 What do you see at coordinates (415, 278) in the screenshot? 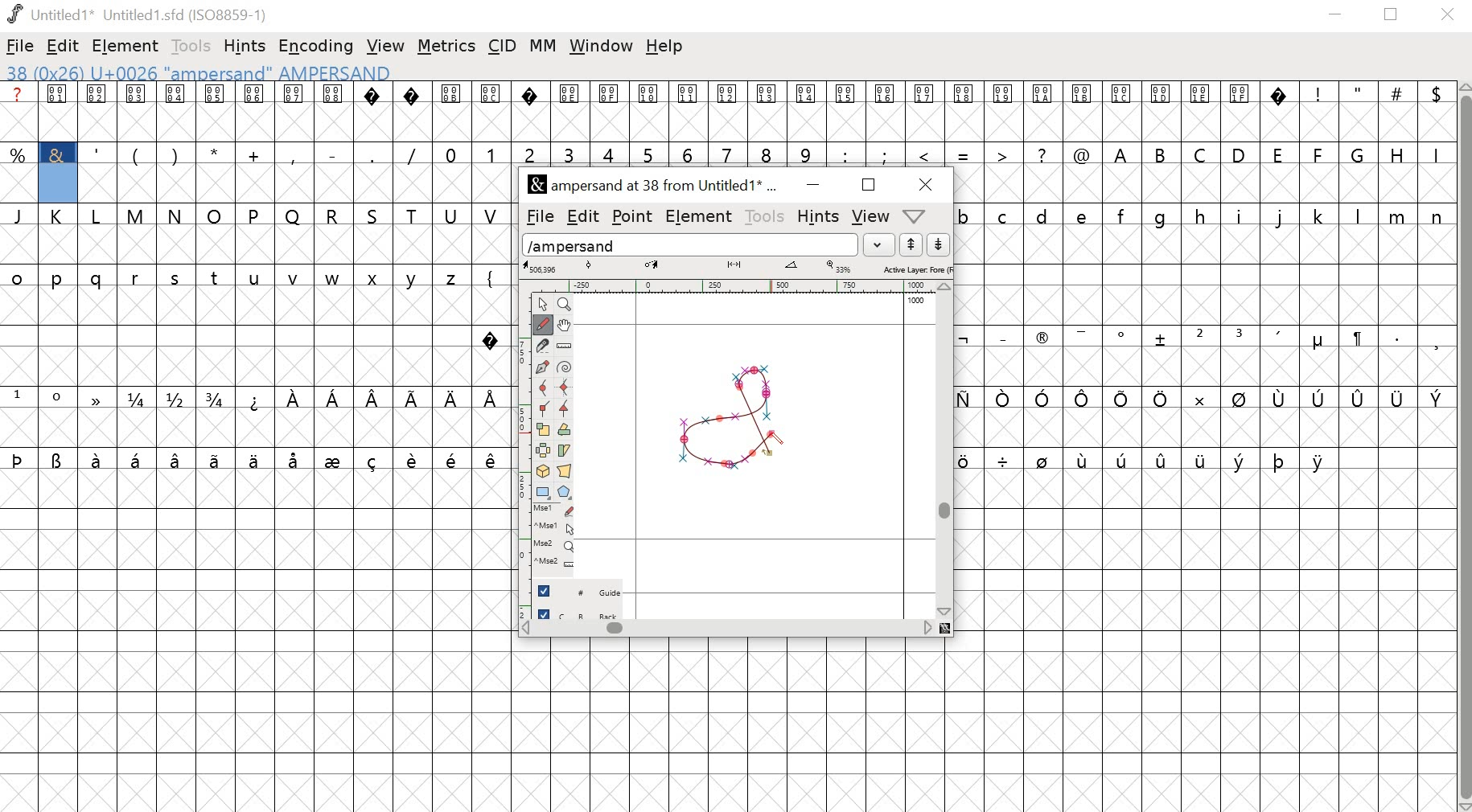
I see `y` at bounding box center [415, 278].